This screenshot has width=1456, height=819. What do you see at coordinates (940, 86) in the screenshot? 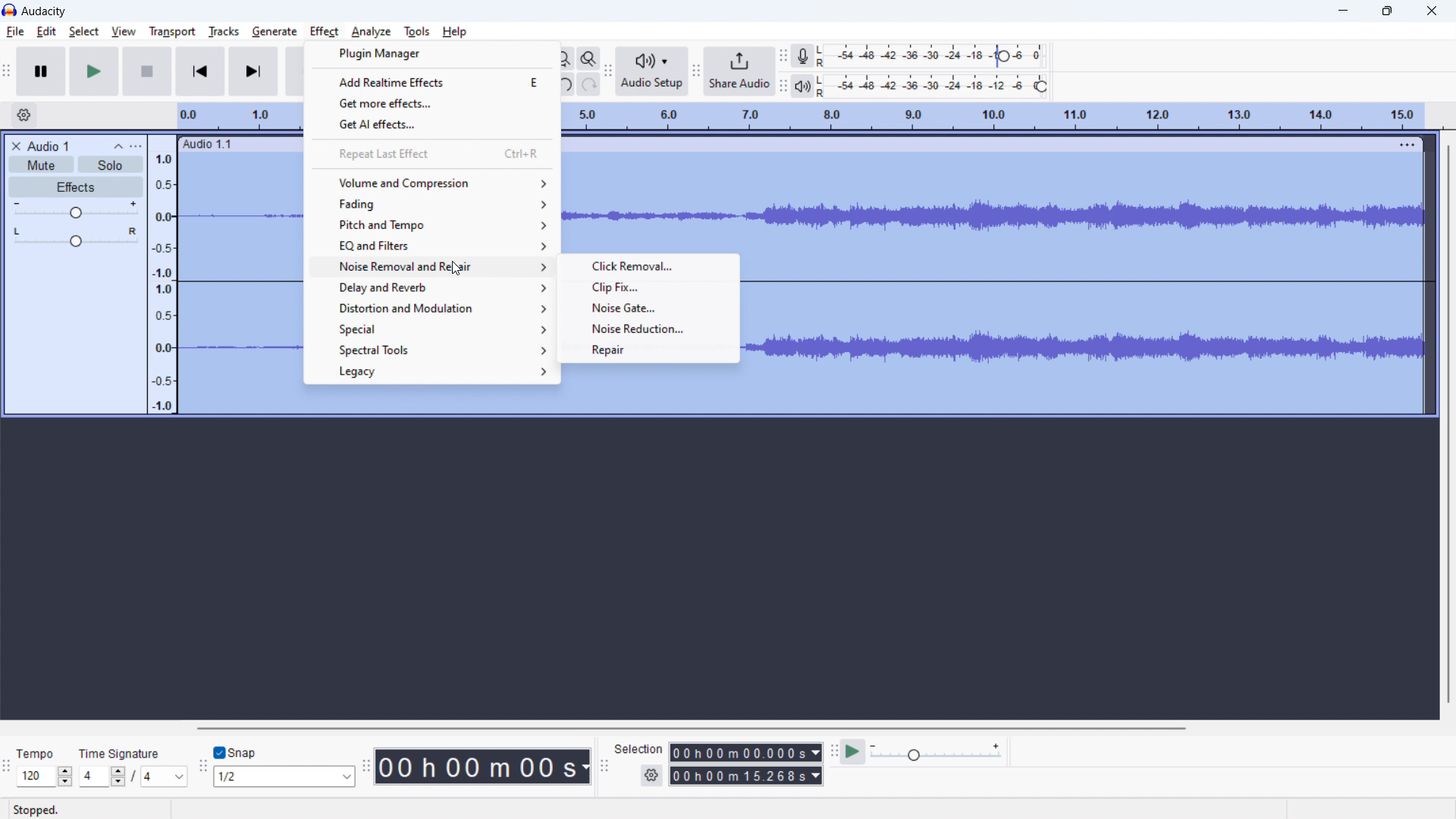
I see `playback meter` at bounding box center [940, 86].